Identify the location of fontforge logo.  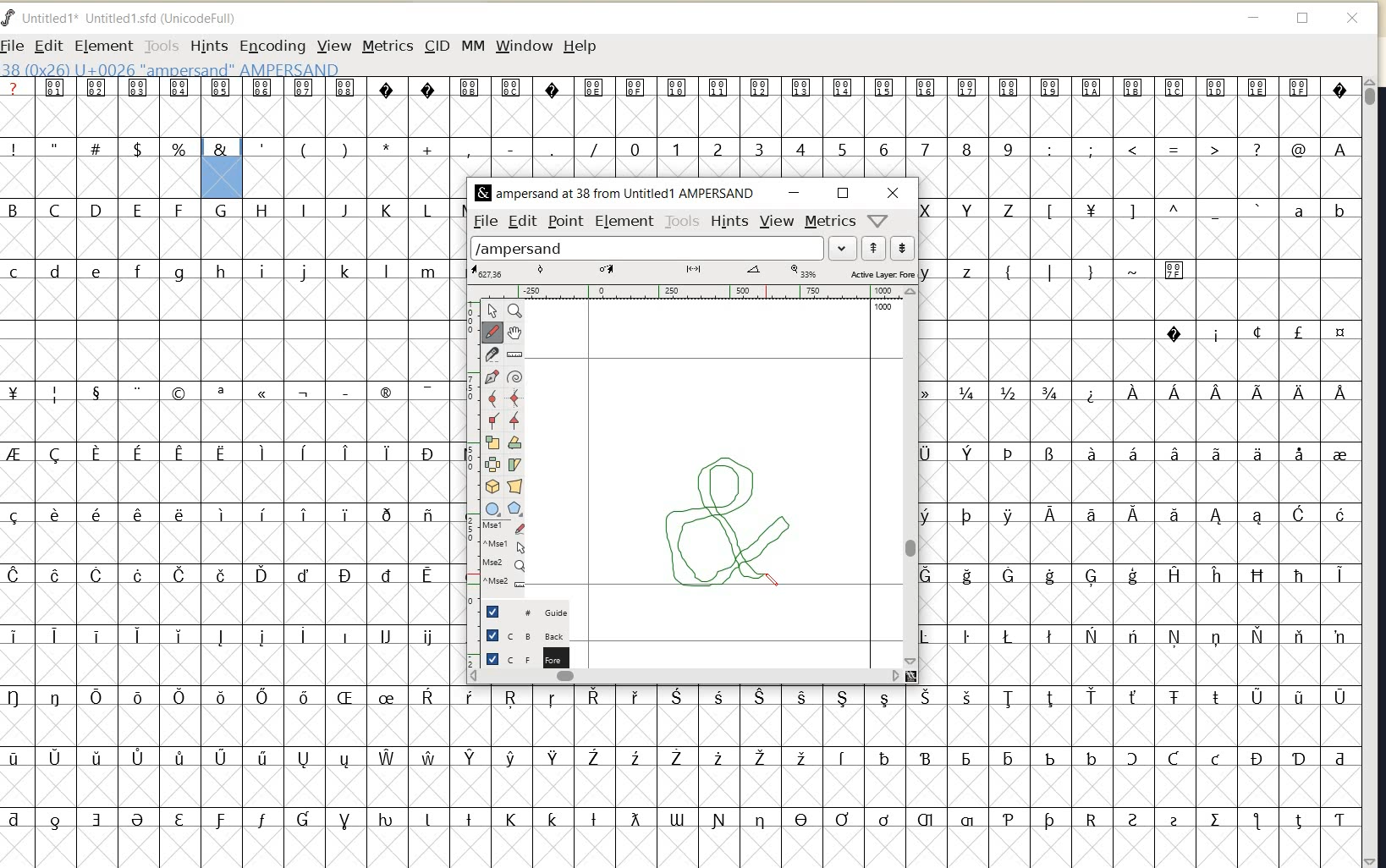
(8, 20).